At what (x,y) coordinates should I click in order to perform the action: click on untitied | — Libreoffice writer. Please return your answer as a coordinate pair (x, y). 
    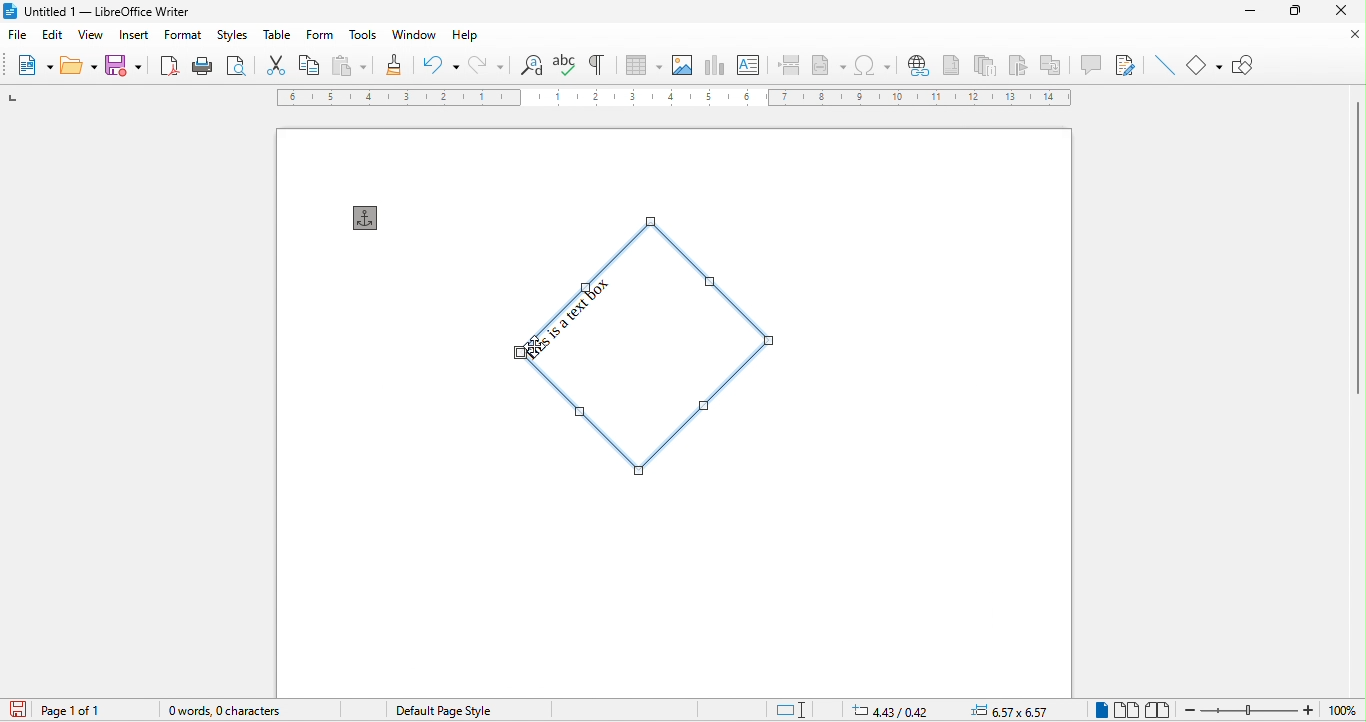
    Looking at the image, I should click on (124, 12).